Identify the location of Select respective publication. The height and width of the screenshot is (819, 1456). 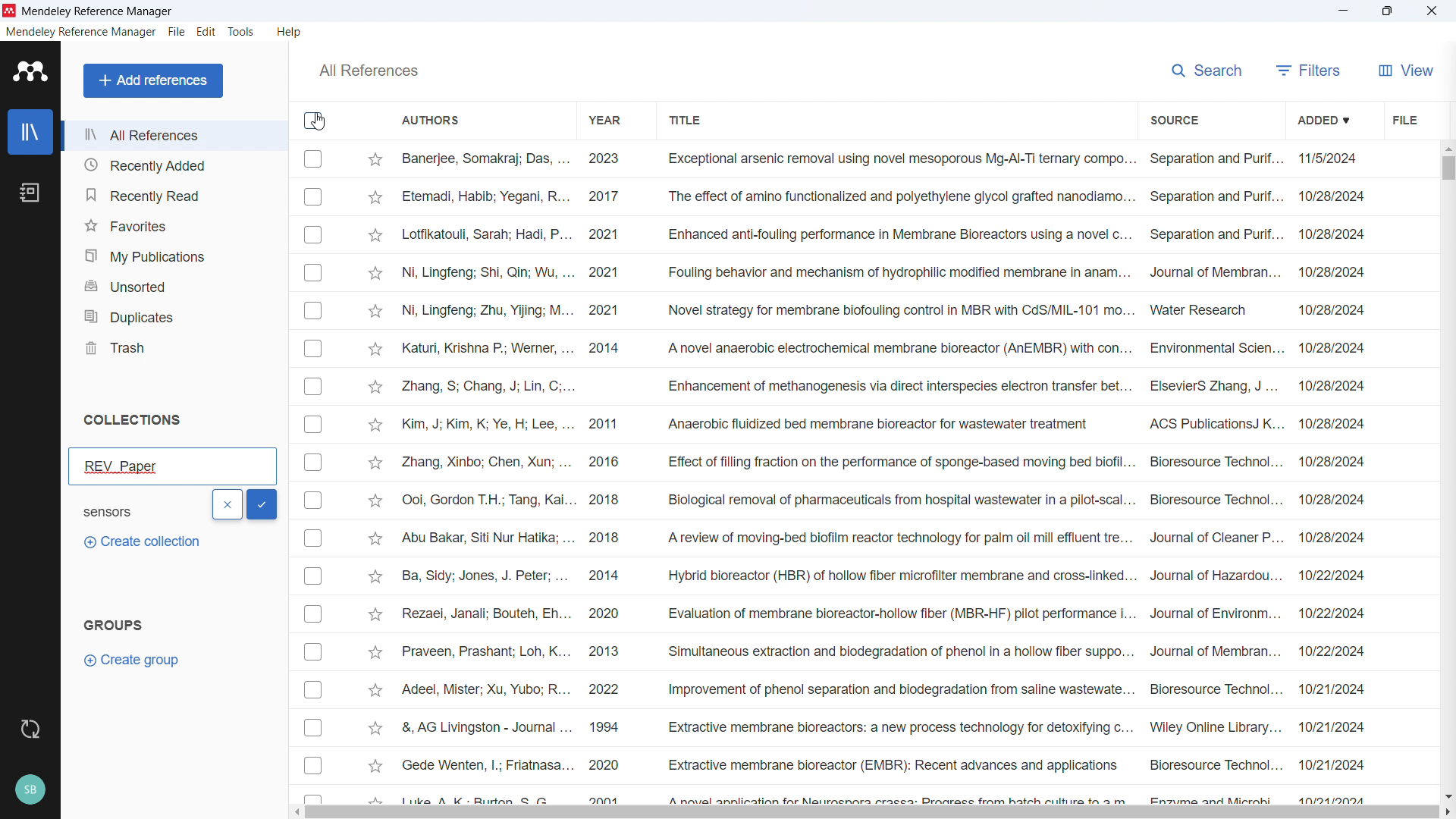
(313, 652).